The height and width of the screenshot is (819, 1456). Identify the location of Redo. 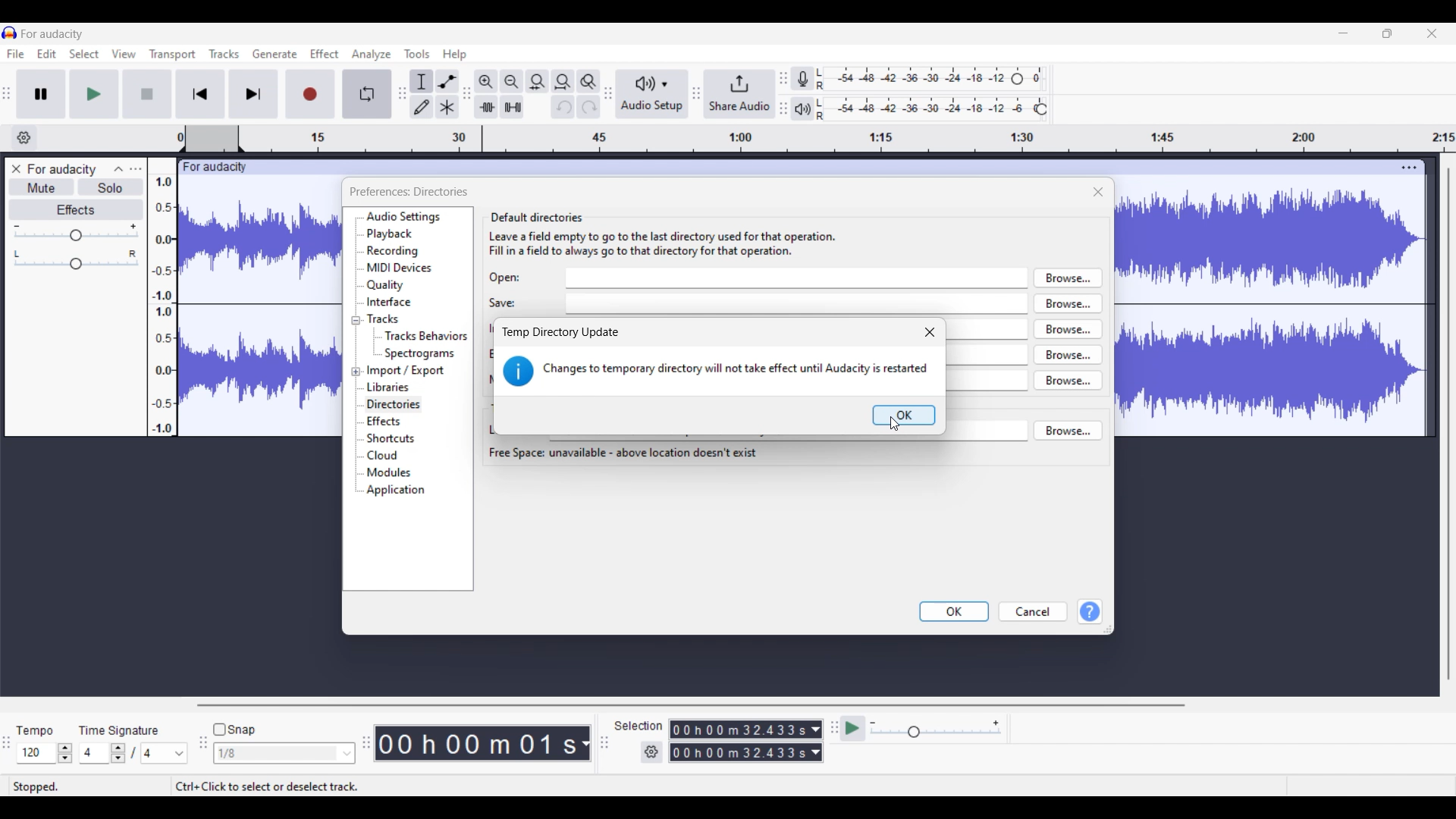
(588, 106).